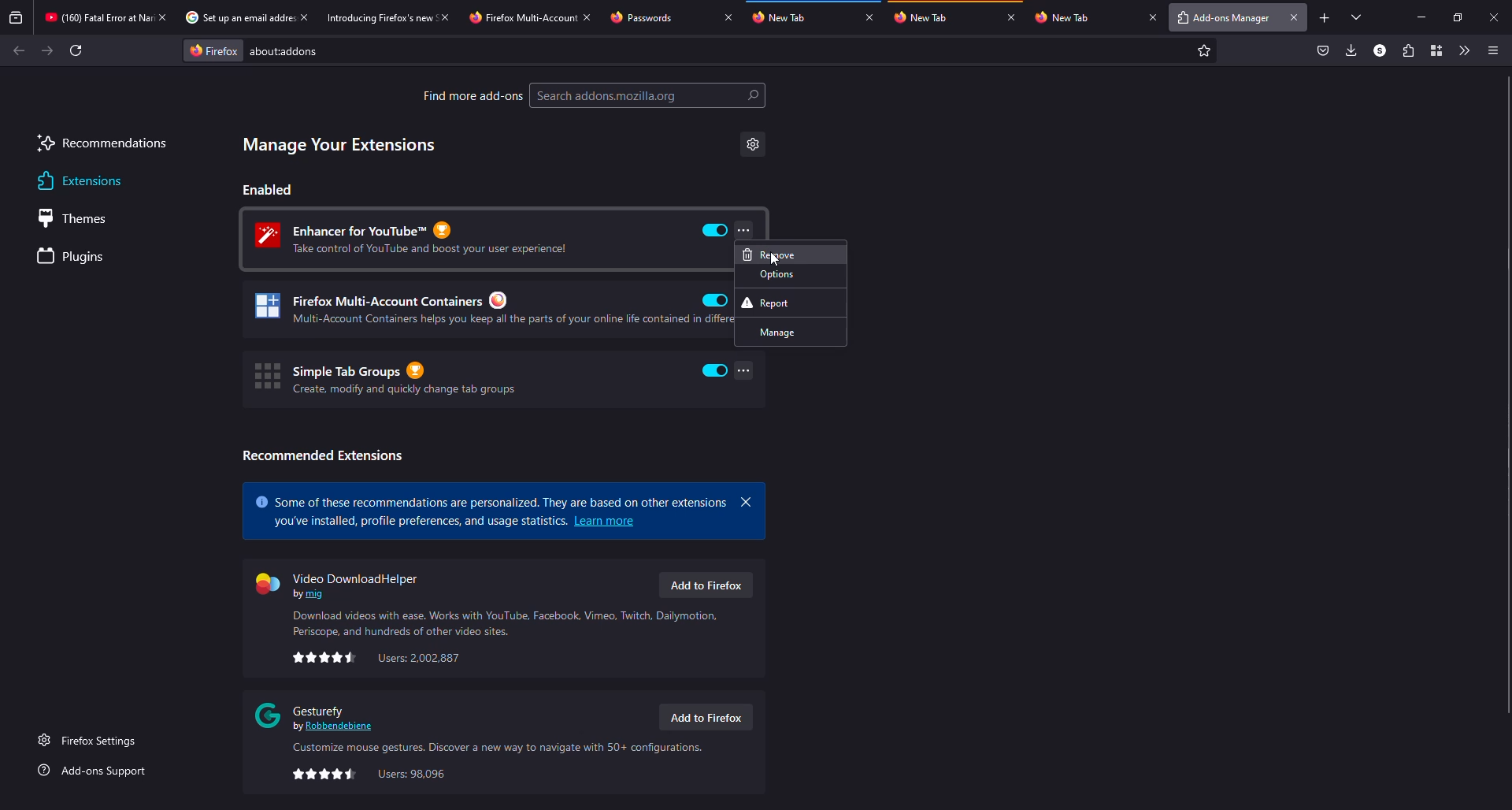 This screenshot has width=1512, height=810. I want to click on more, so click(743, 229).